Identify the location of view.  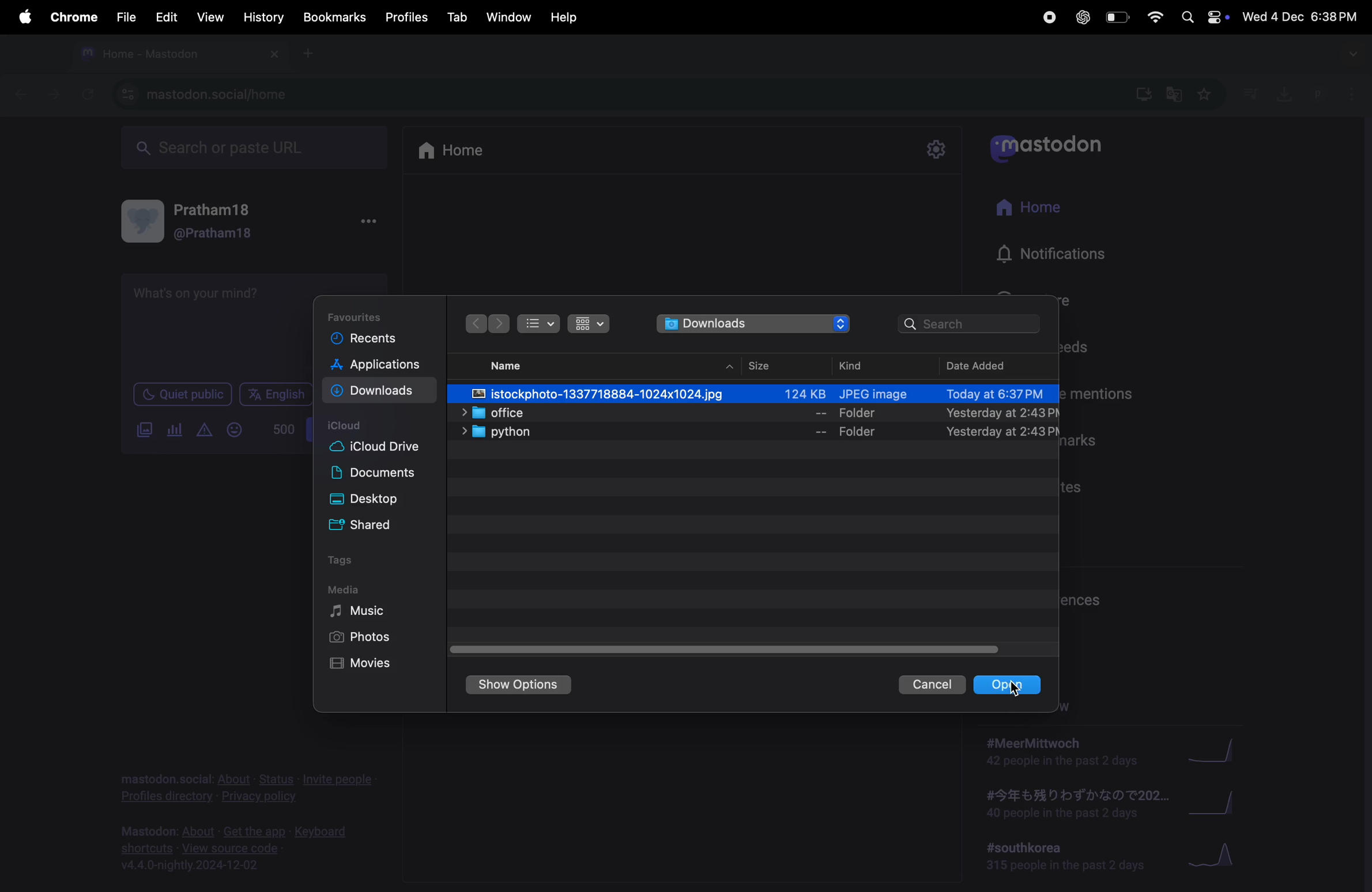
(210, 17).